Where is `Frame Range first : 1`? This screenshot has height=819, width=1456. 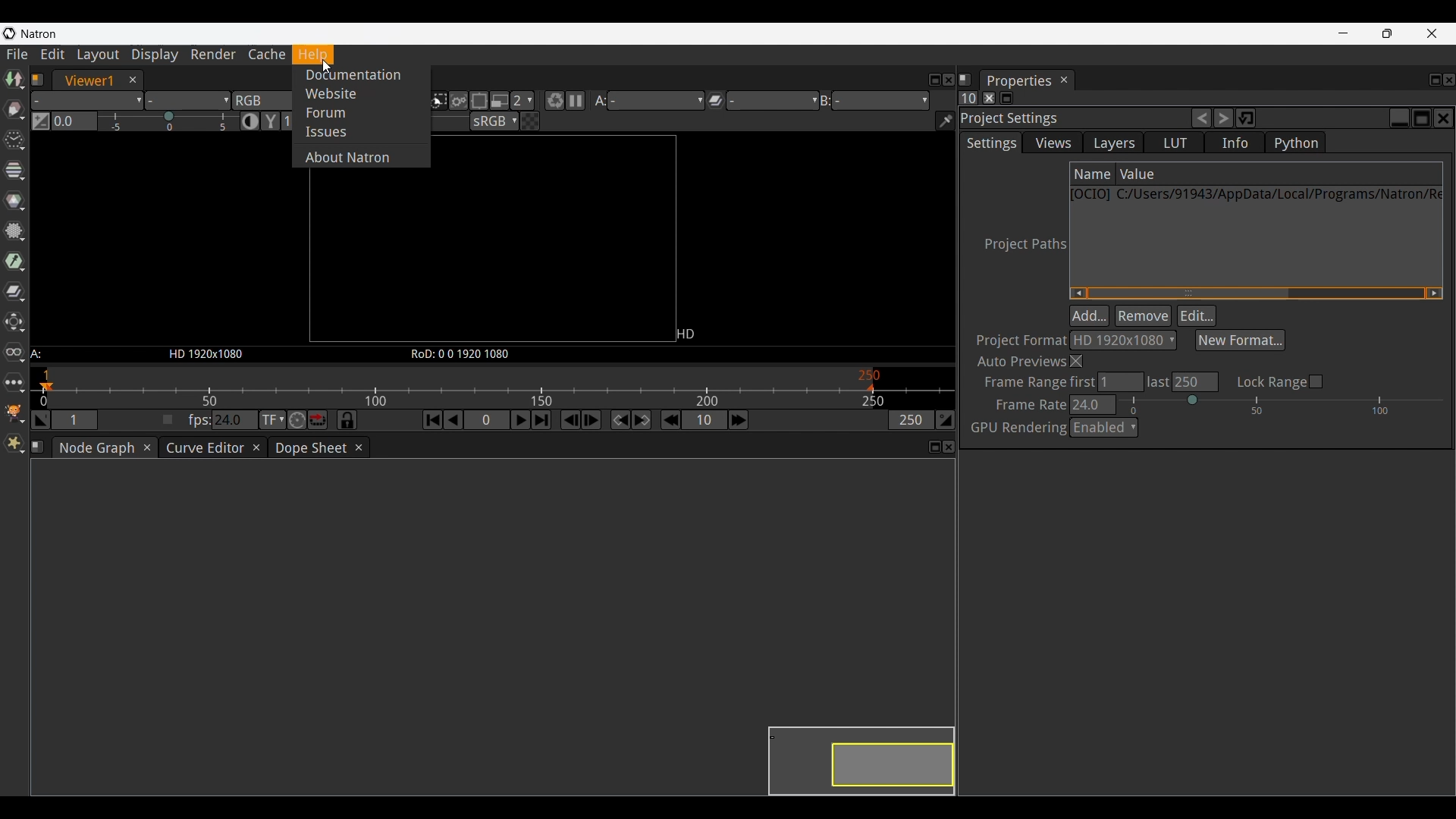
Frame Range first : 1 is located at coordinates (1060, 381).